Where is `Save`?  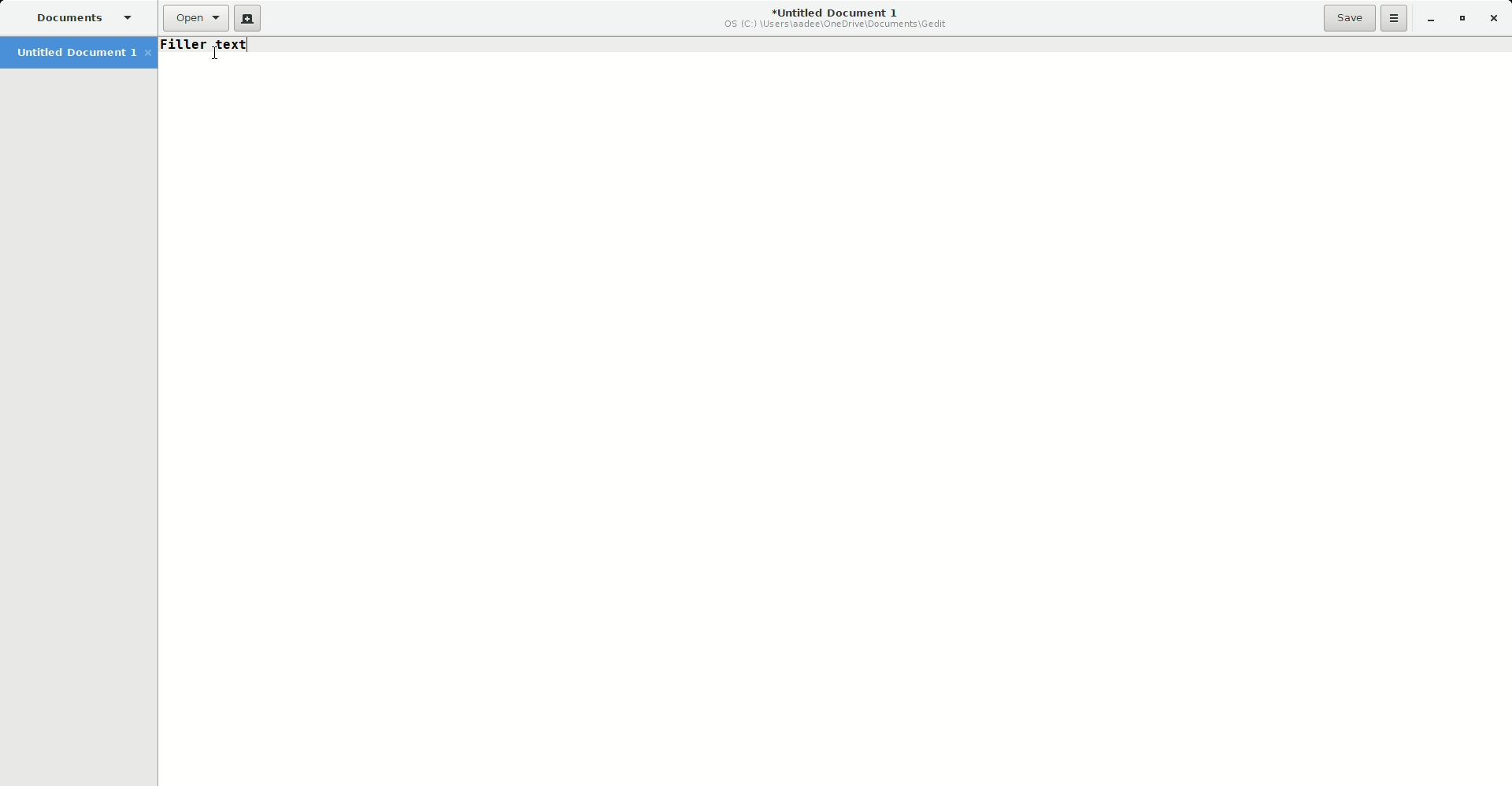 Save is located at coordinates (1349, 17).